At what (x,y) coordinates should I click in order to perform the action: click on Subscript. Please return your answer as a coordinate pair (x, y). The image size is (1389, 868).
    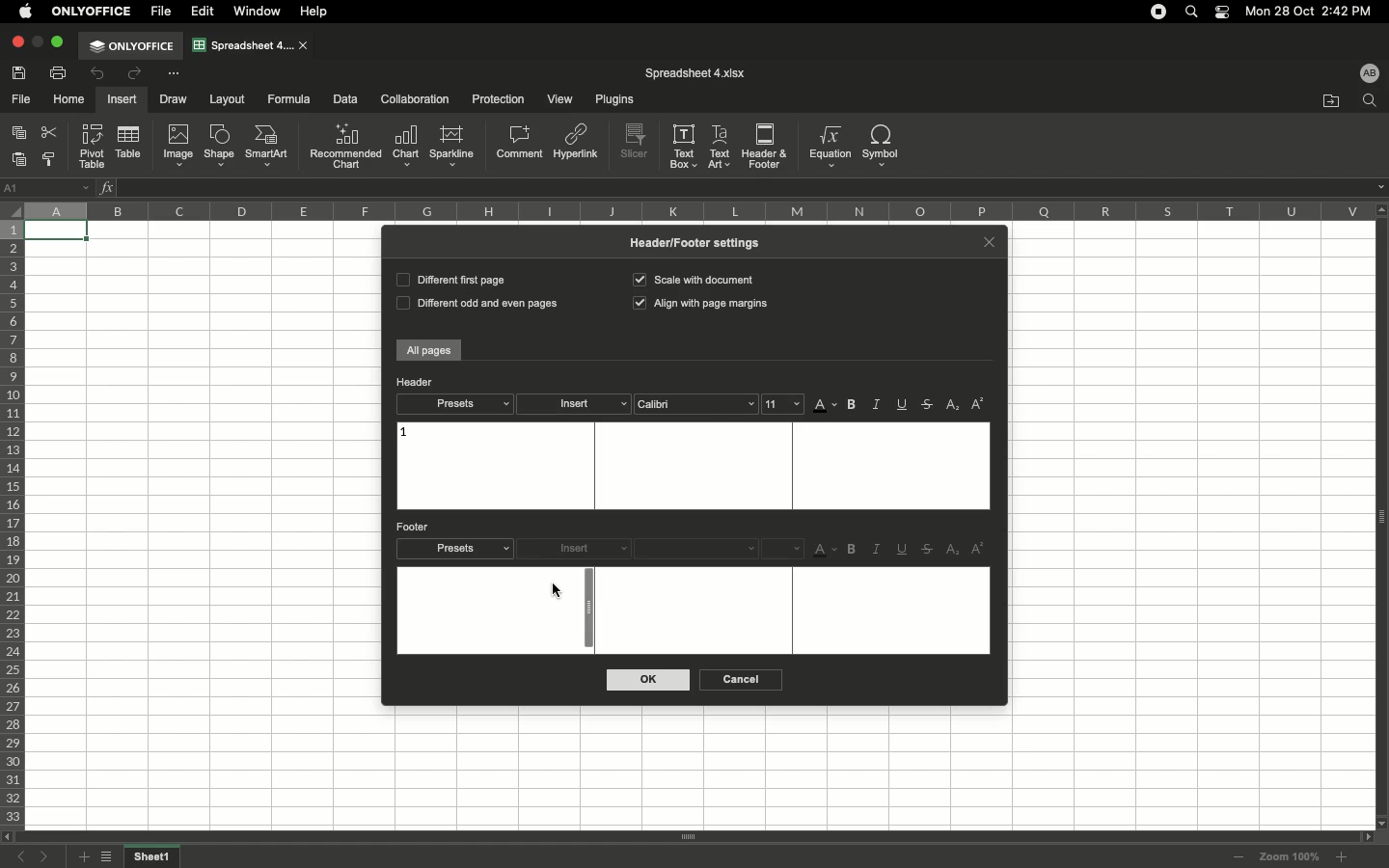
    Looking at the image, I should click on (954, 406).